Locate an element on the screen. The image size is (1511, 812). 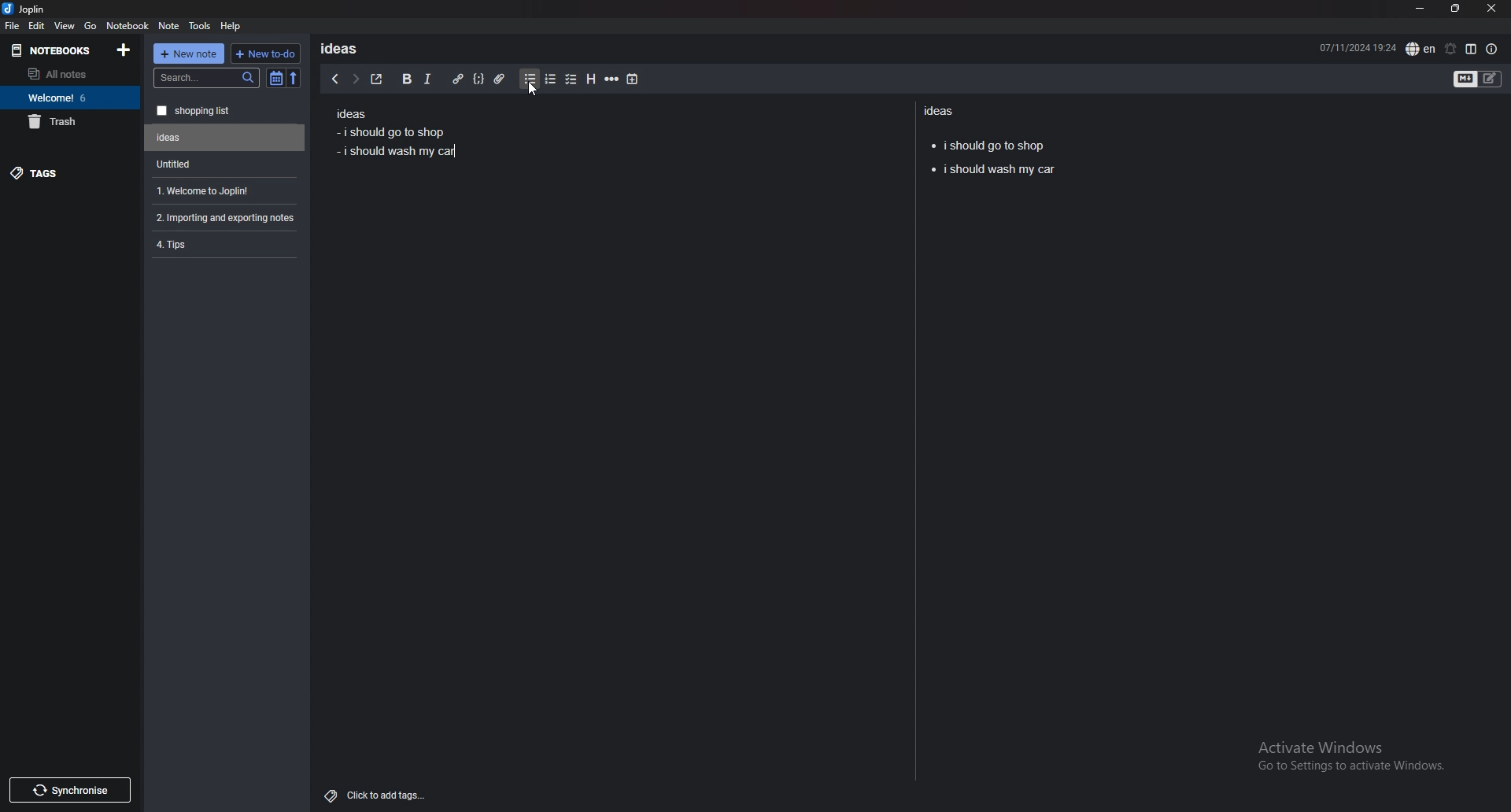
tags is located at coordinates (71, 172).